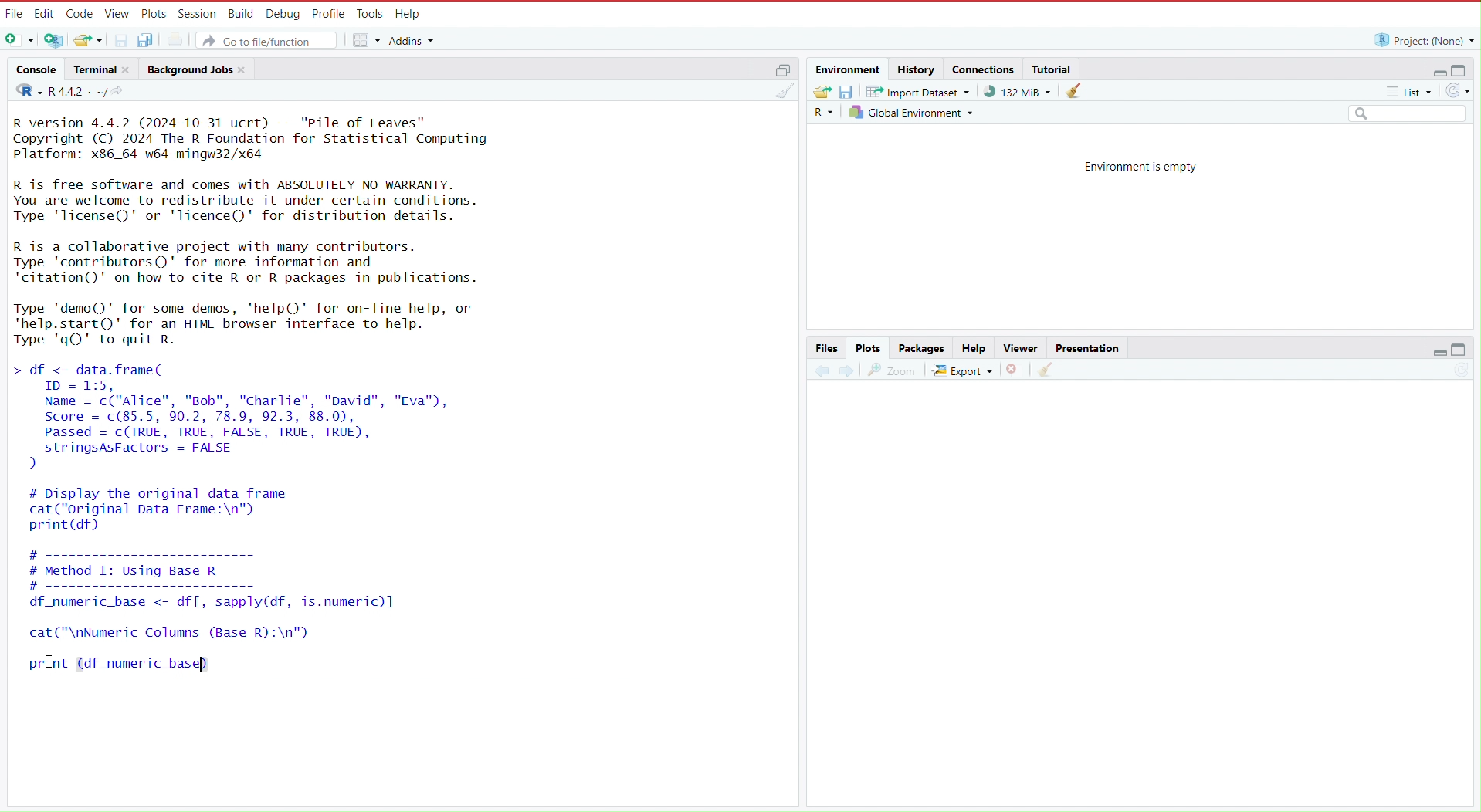 Image resolution: width=1481 pixels, height=812 pixels. Describe the element at coordinates (329, 12) in the screenshot. I see `Profile` at that location.